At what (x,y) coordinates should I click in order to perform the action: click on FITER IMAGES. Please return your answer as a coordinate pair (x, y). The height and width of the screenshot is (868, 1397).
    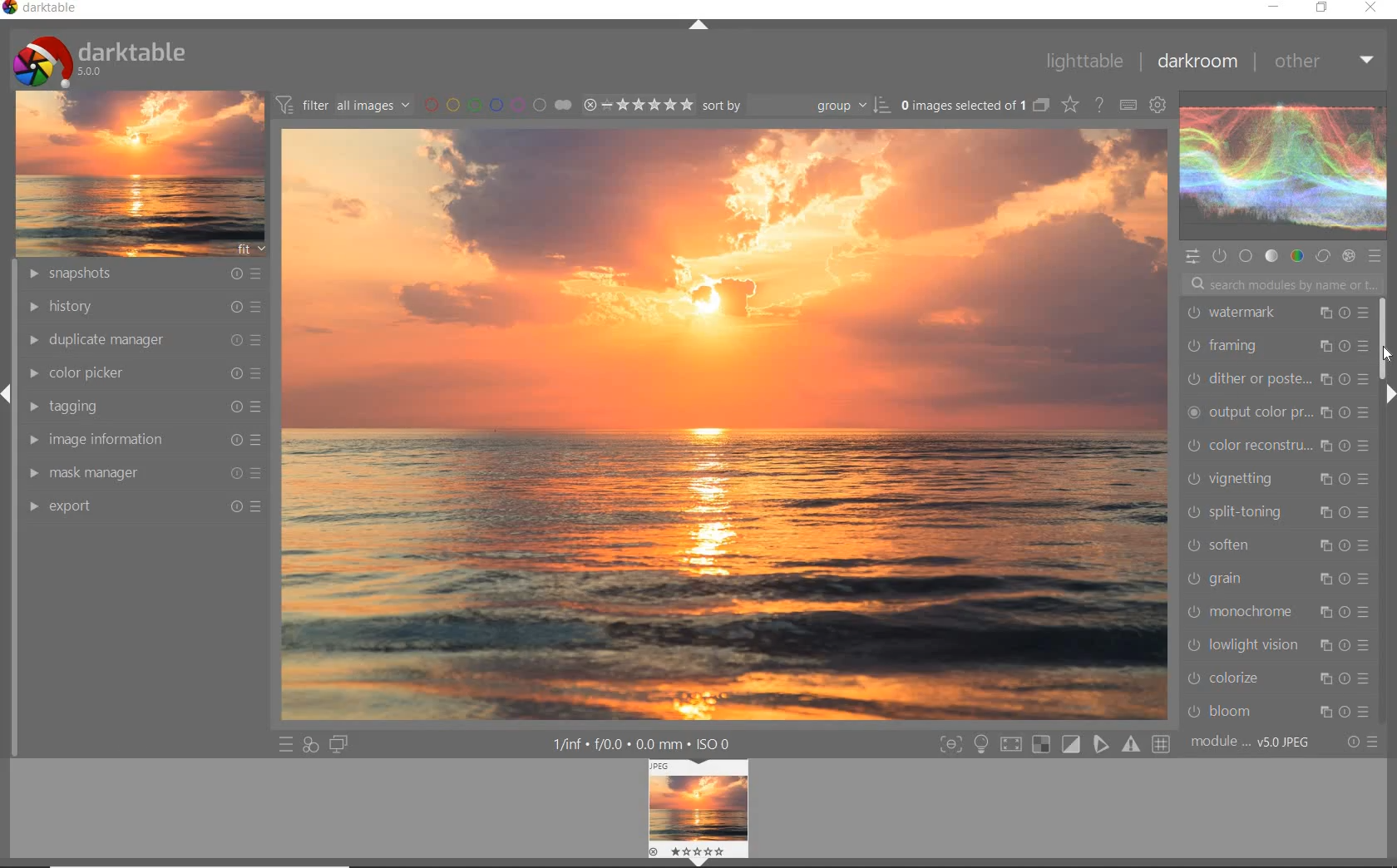
    Looking at the image, I should click on (343, 104).